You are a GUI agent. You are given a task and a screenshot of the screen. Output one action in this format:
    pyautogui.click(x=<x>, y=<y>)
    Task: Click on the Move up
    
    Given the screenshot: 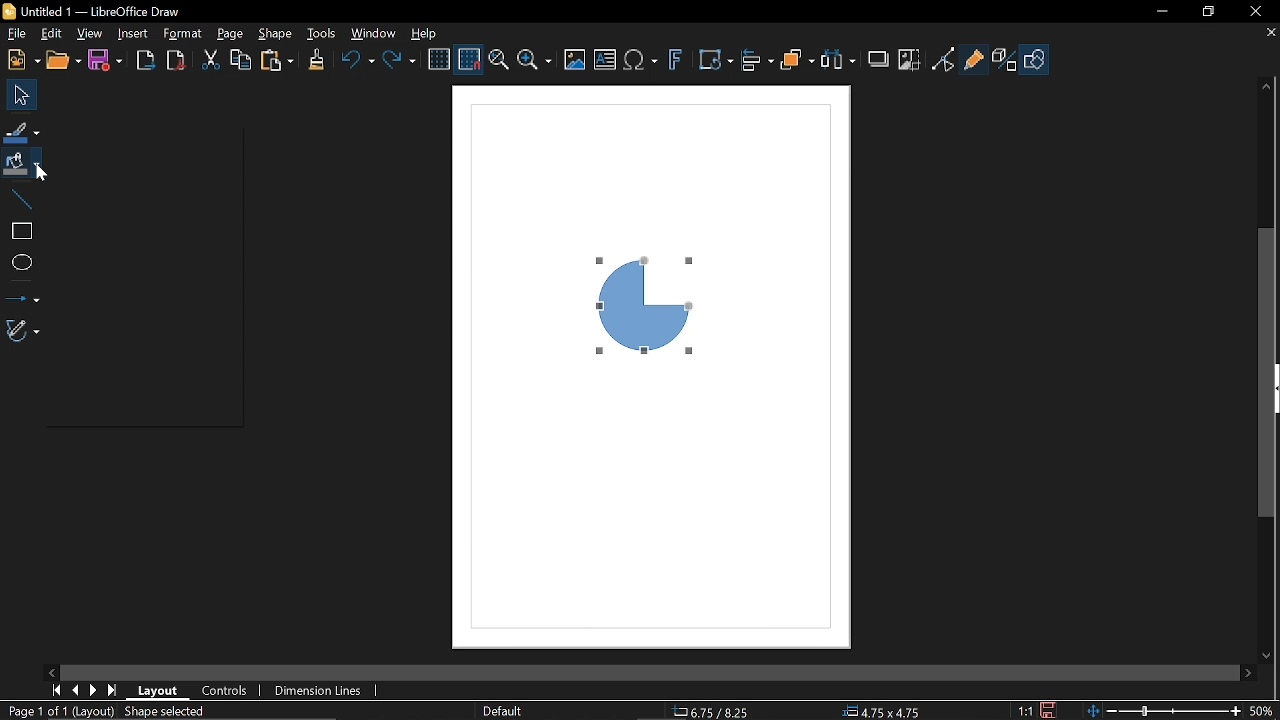 What is the action you would take?
    pyautogui.click(x=1267, y=84)
    